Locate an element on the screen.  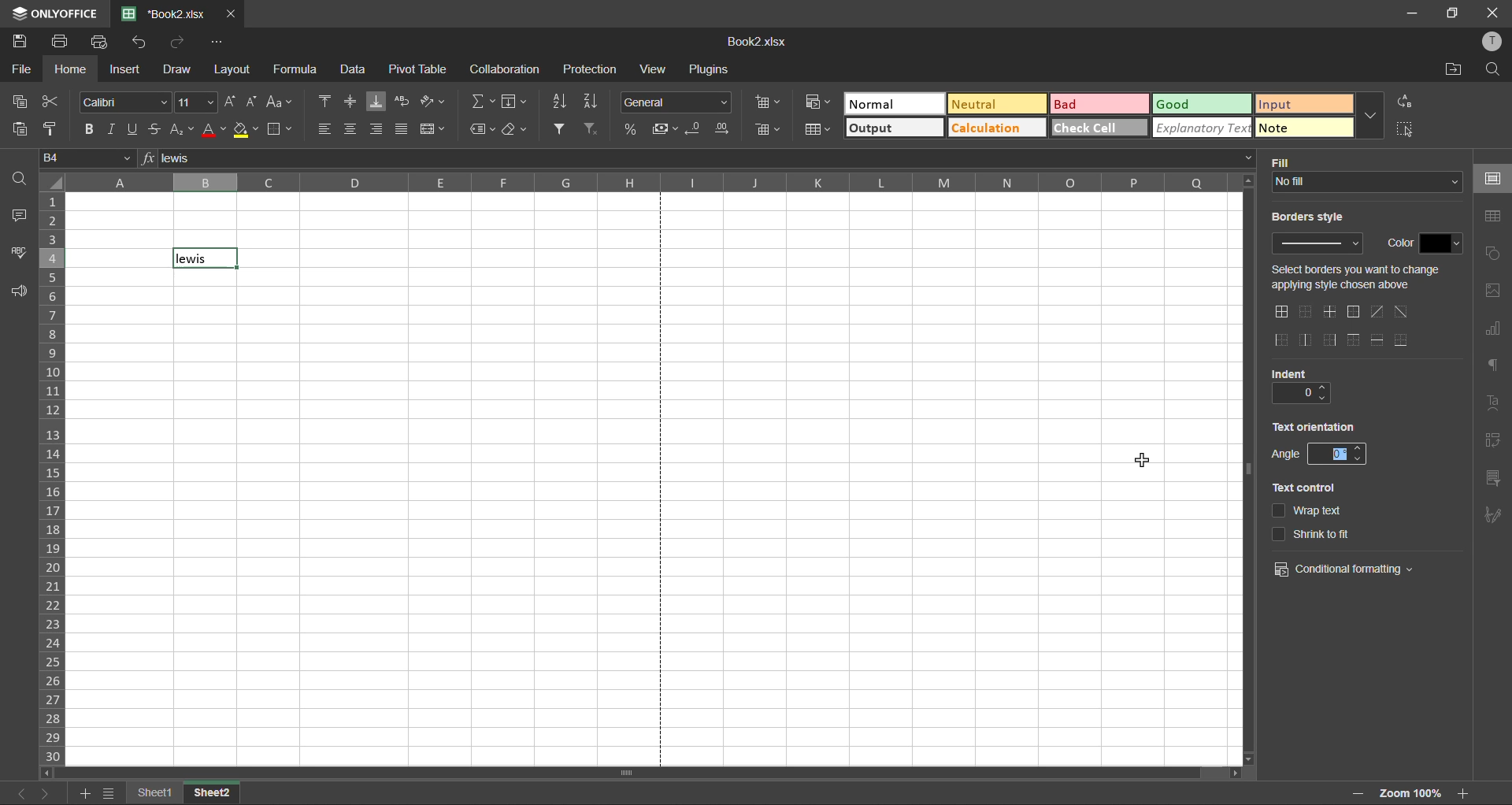
more options is located at coordinates (1369, 114).